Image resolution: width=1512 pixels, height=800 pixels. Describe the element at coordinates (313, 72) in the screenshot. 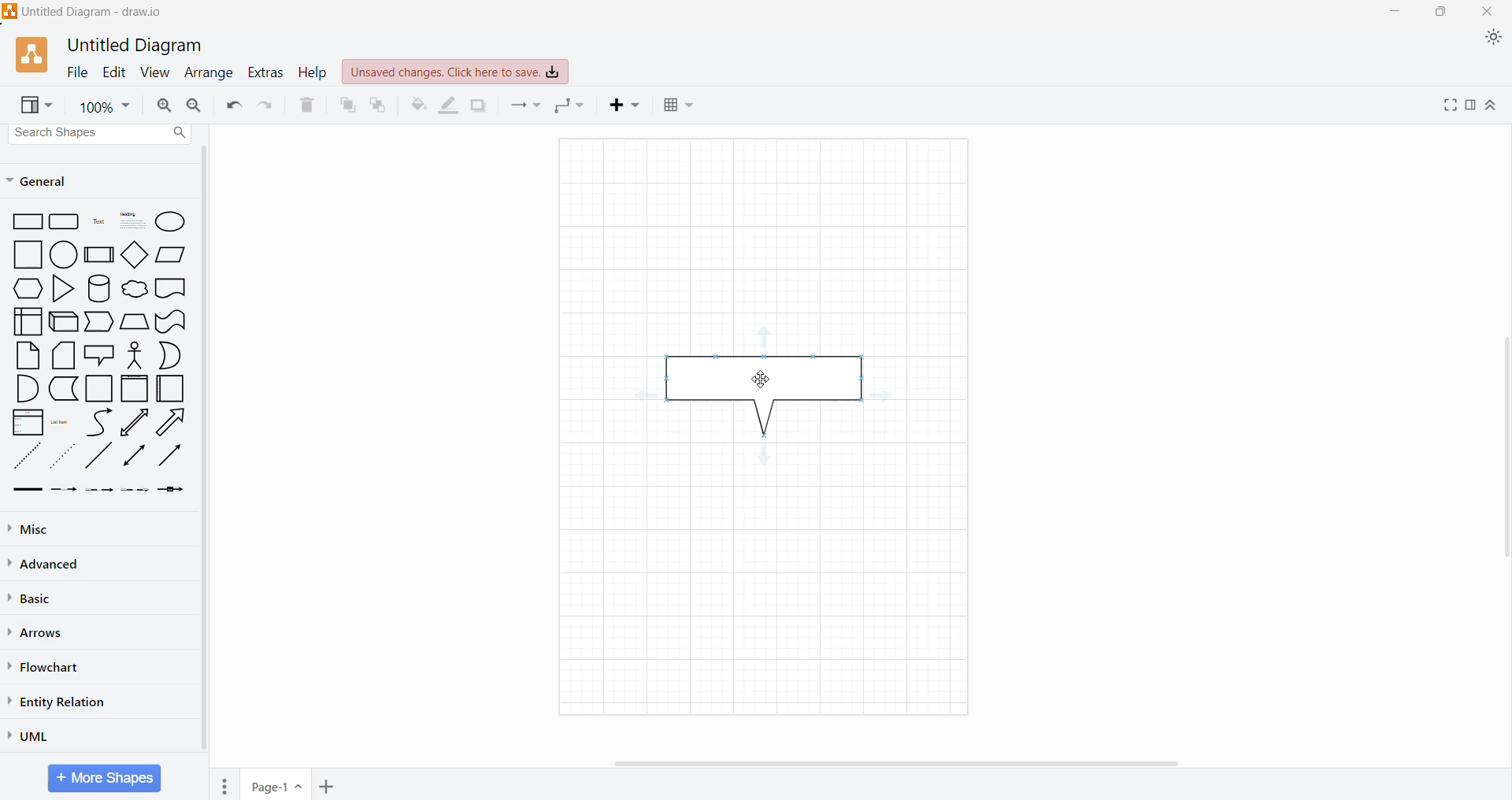

I see `Help` at that location.